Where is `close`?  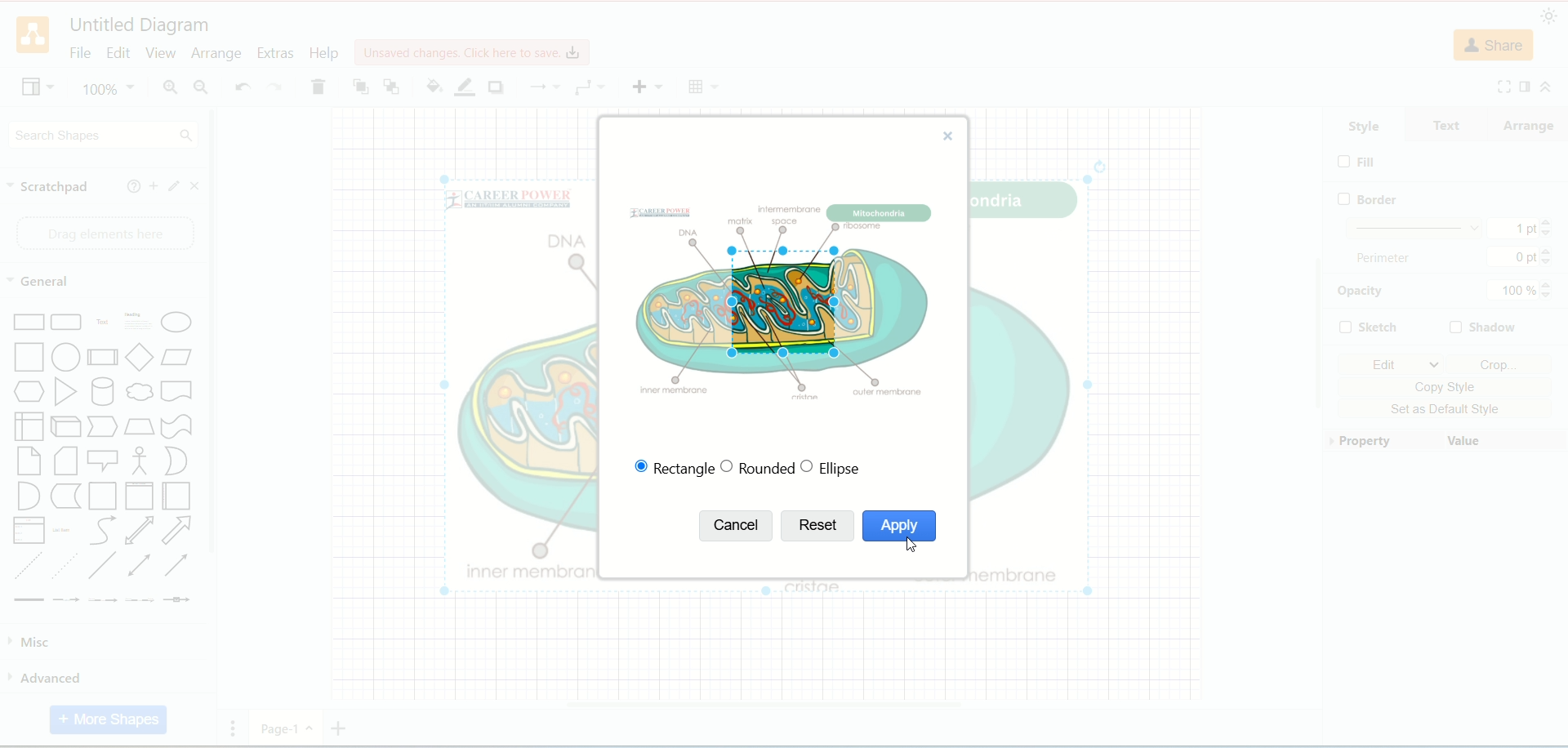 close is located at coordinates (198, 186).